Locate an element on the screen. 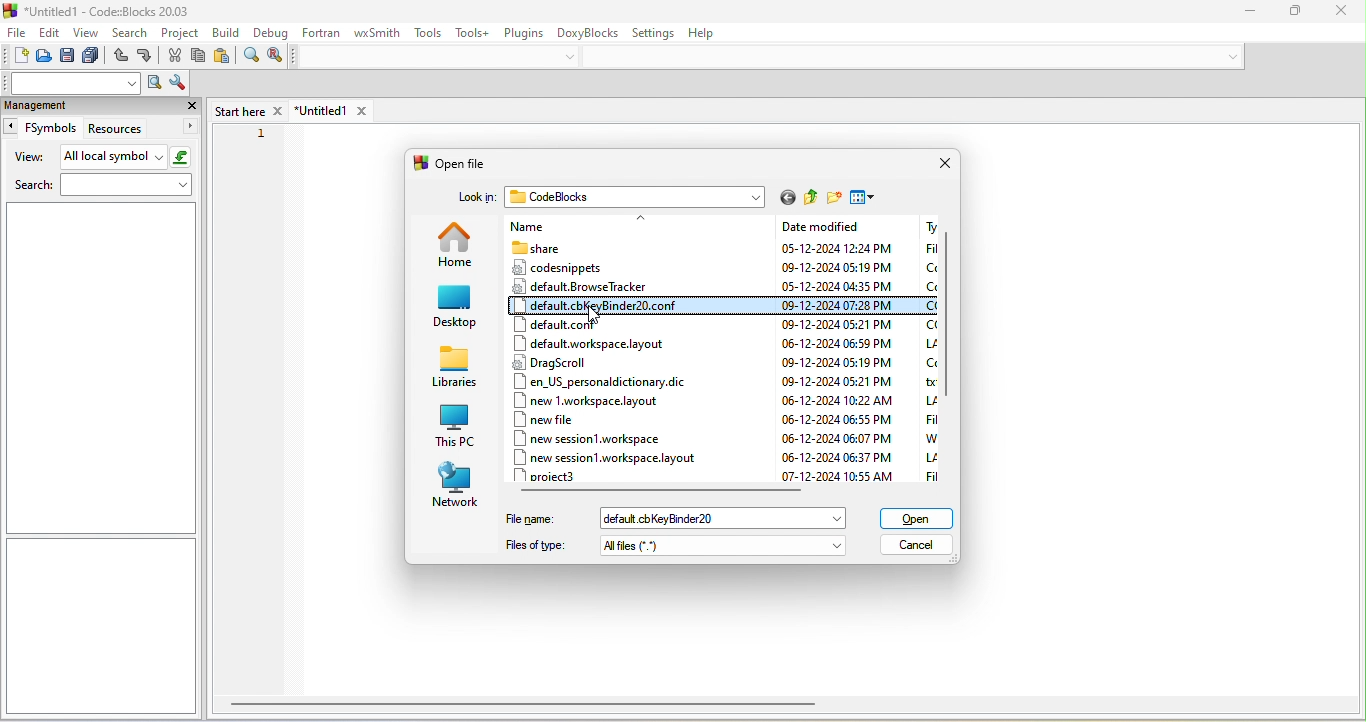 The width and height of the screenshot is (1366, 722). home is located at coordinates (452, 244).